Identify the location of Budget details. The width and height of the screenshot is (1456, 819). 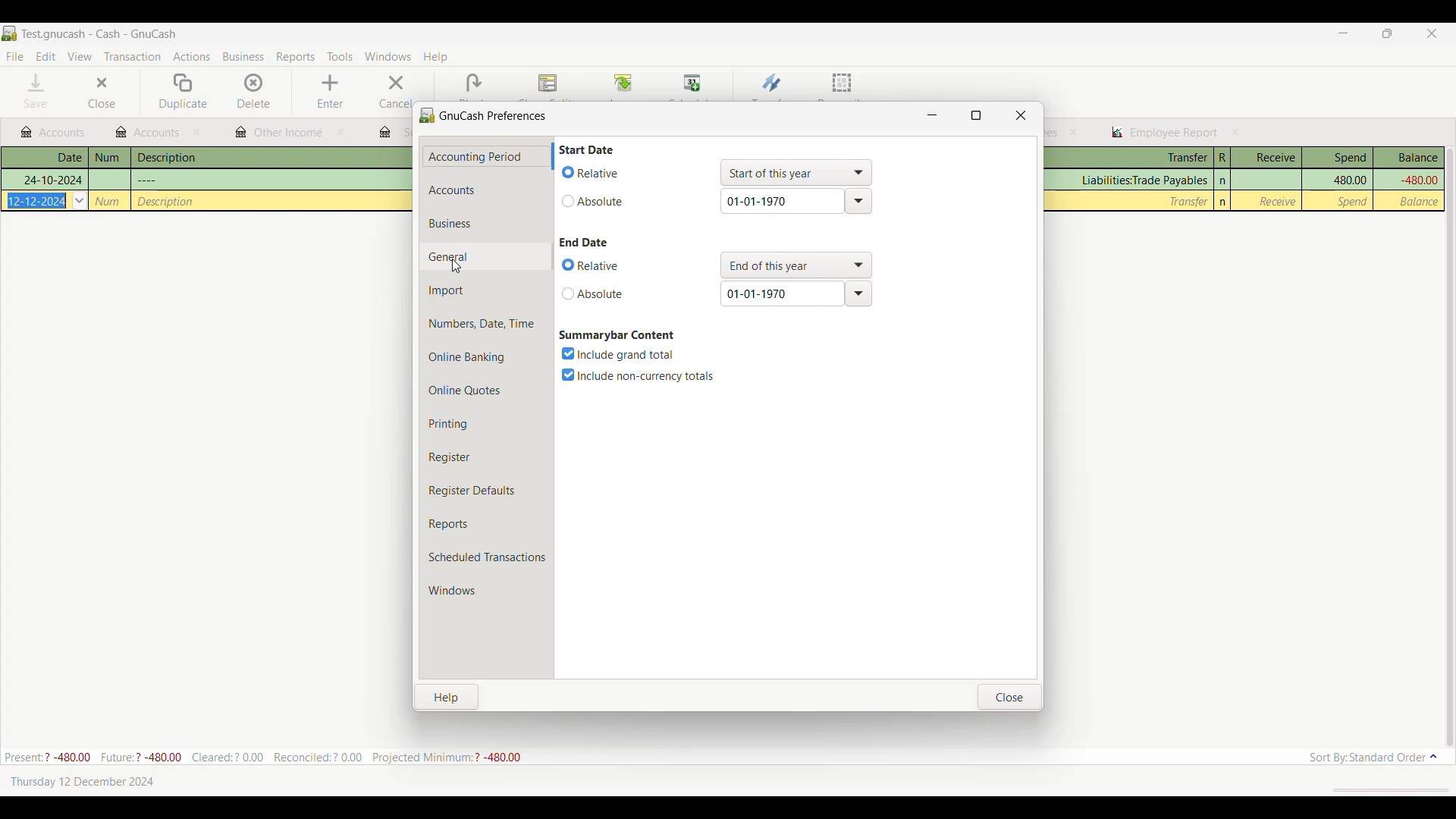
(262, 757).